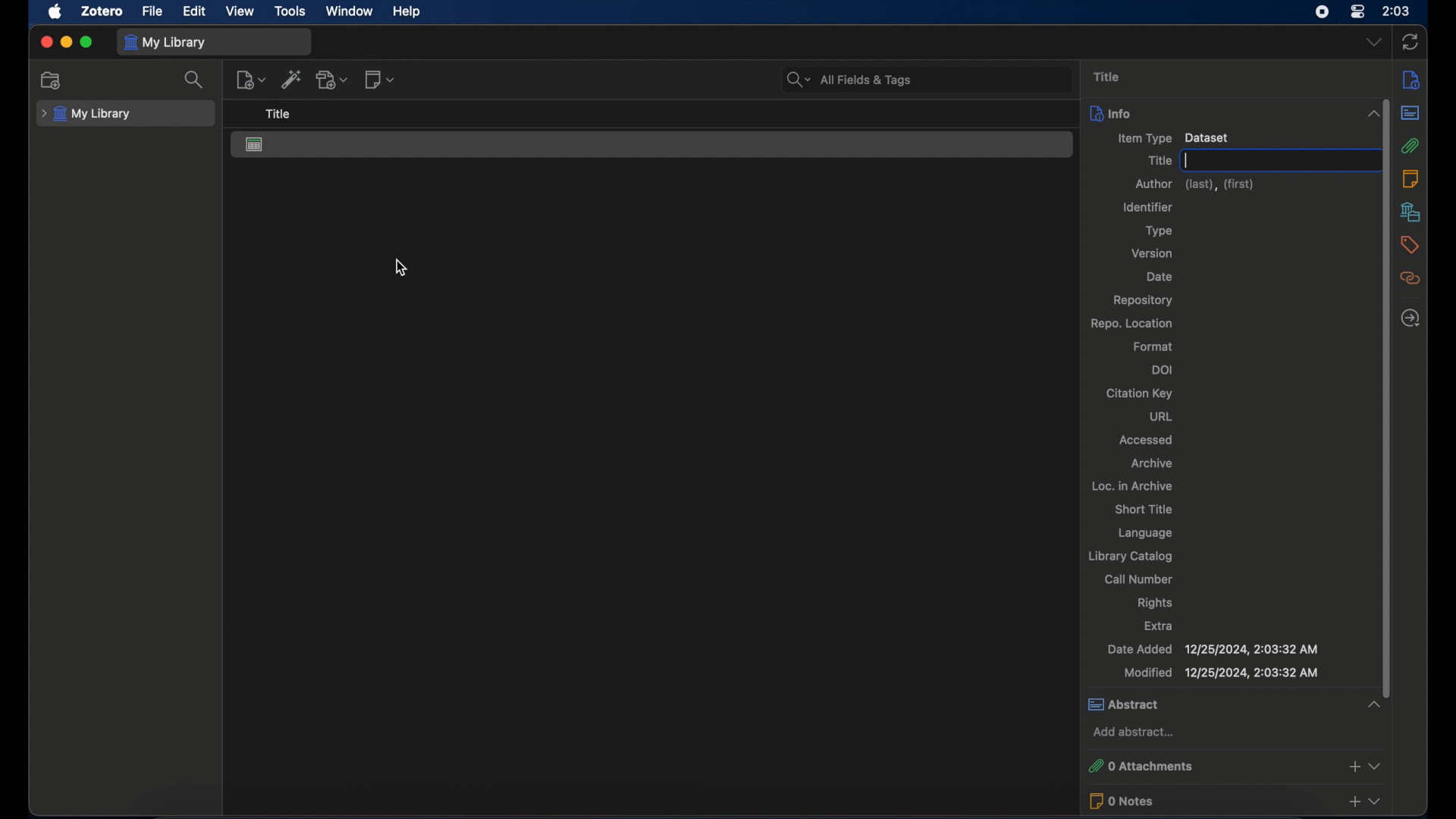 The image size is (1456, 819). I want to click on sync, so click(1410, 42).